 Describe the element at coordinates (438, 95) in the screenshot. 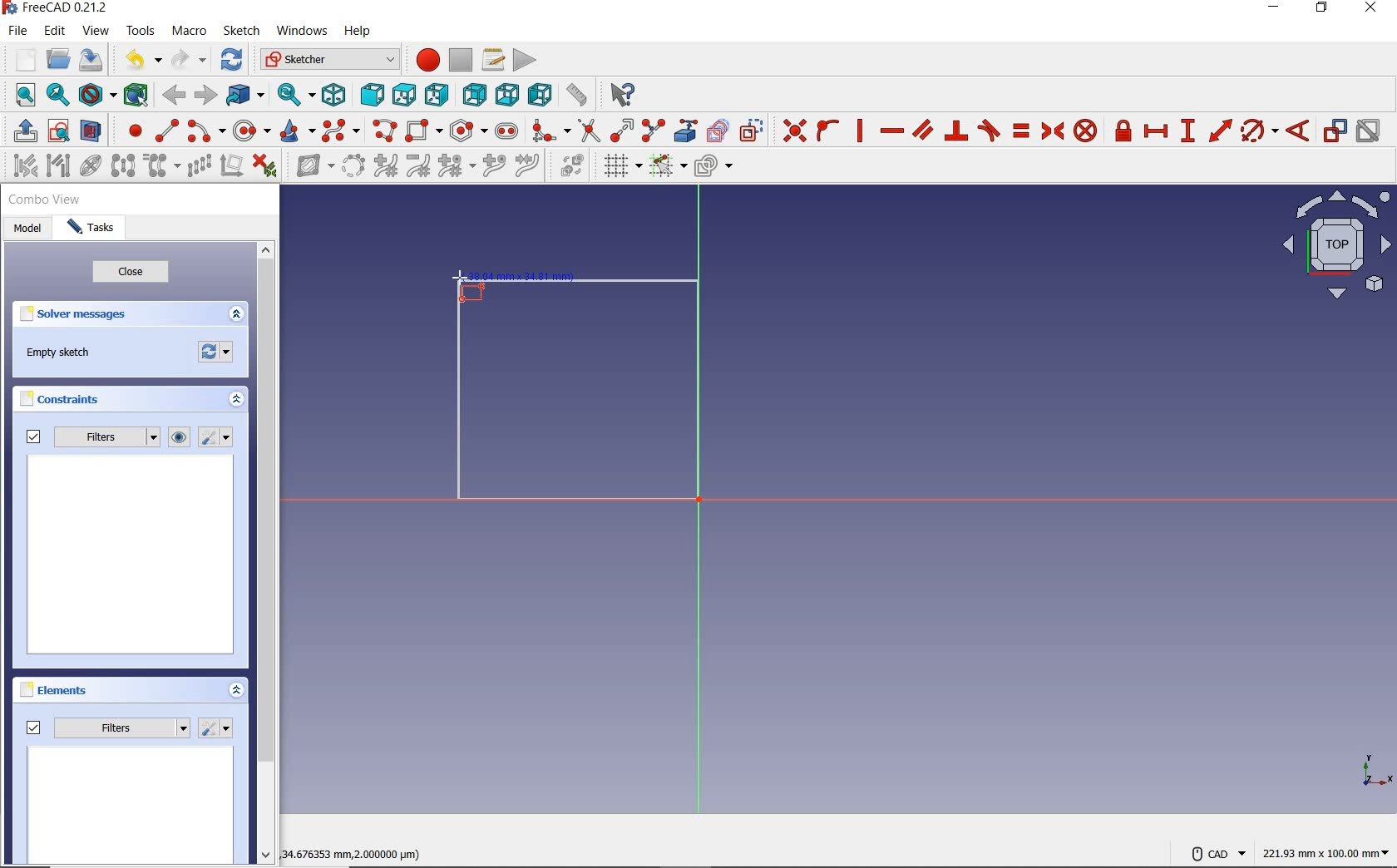

I see `right` at that location.